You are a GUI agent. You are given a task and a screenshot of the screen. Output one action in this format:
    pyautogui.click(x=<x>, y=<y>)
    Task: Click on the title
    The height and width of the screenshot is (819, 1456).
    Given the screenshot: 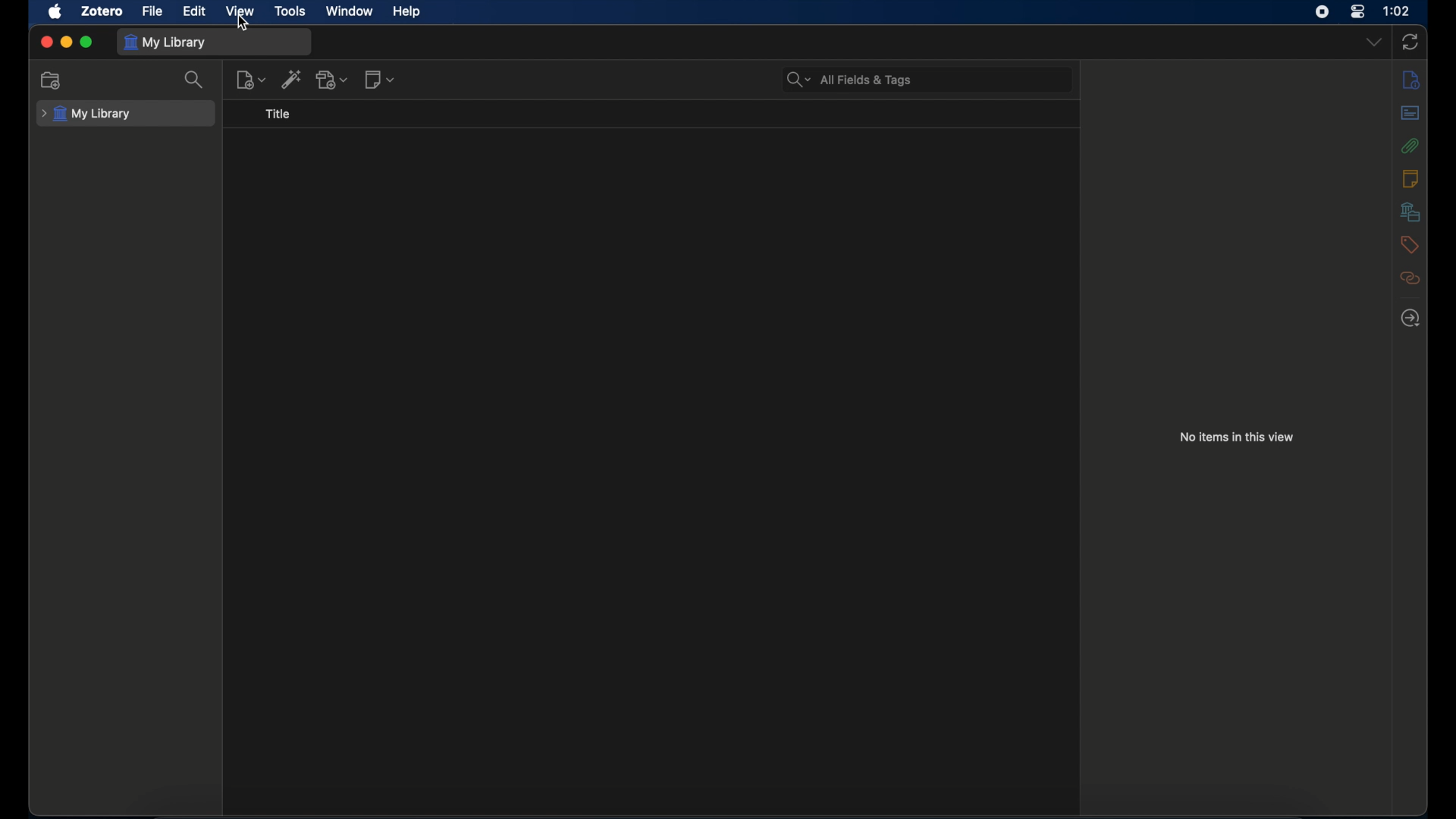 What is the action you would take?
    pyautogui.click(x=277, y=114)
    